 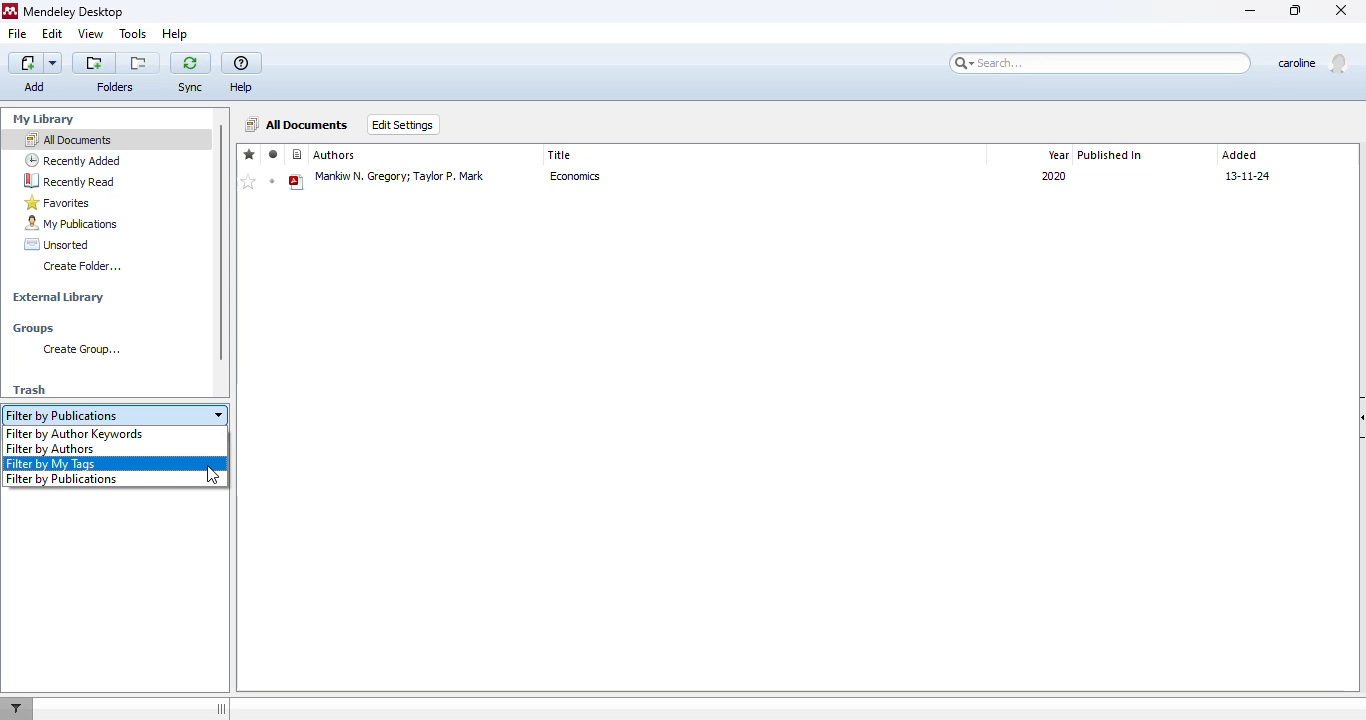 What do you see at coordinates (584, 181) in the screenshot?
I see `economics` at bounding box center [584, 181].